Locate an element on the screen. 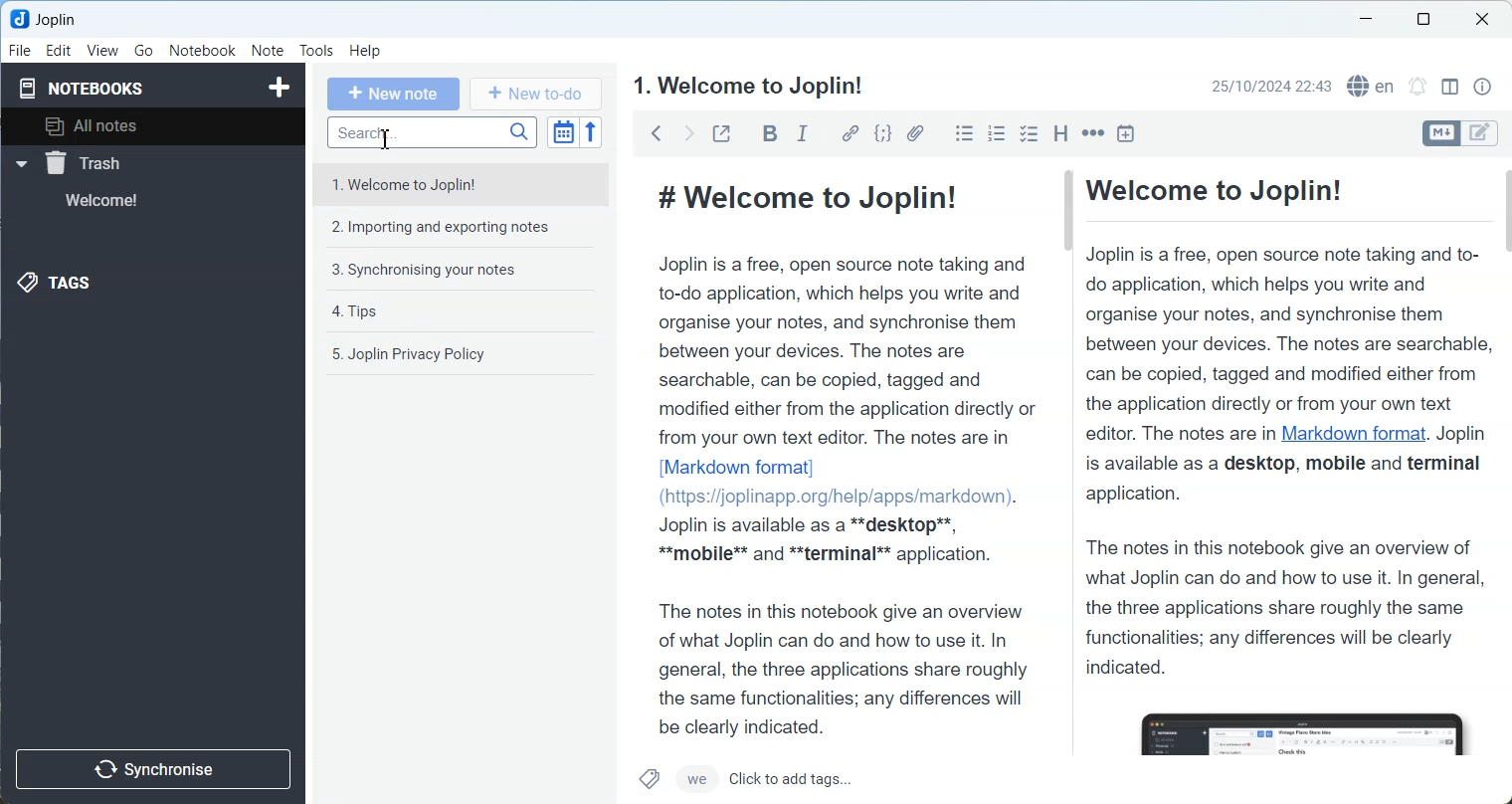  Go is located at coordinates (143, 51).